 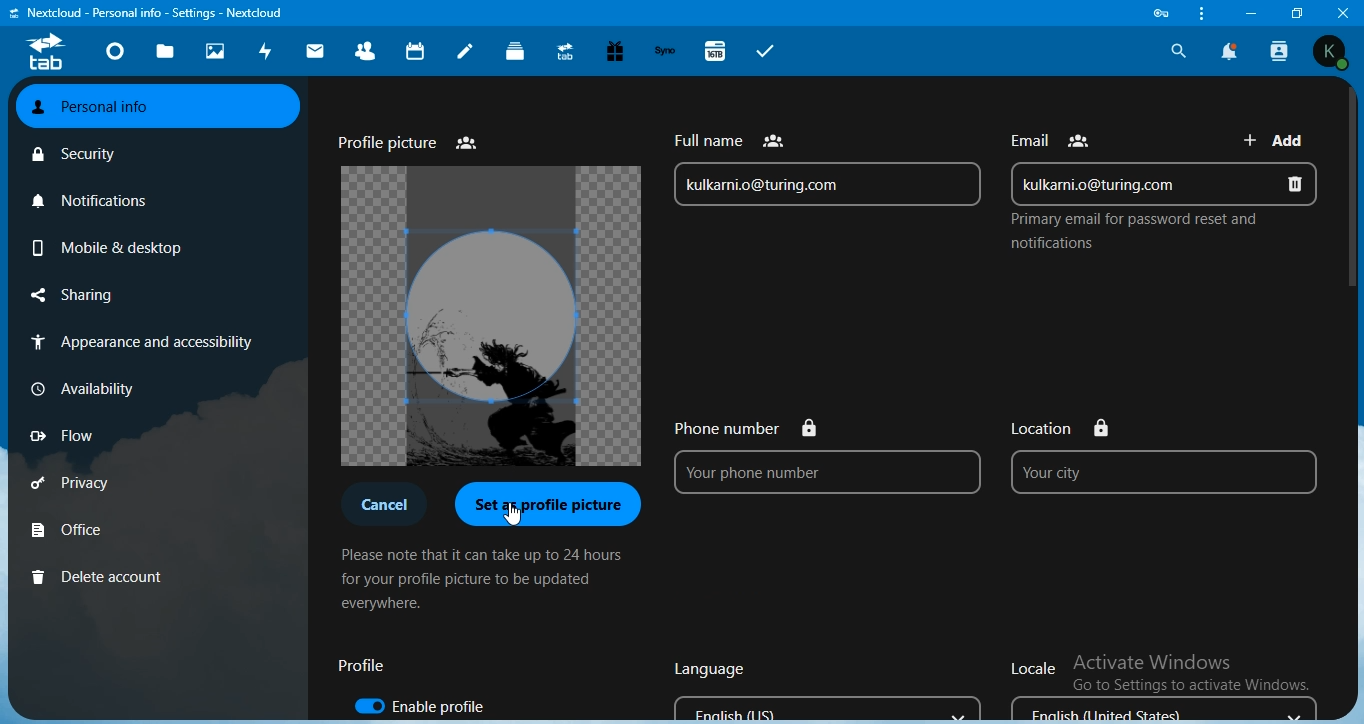 I want to click on personal info, so click(x=159, y=108).